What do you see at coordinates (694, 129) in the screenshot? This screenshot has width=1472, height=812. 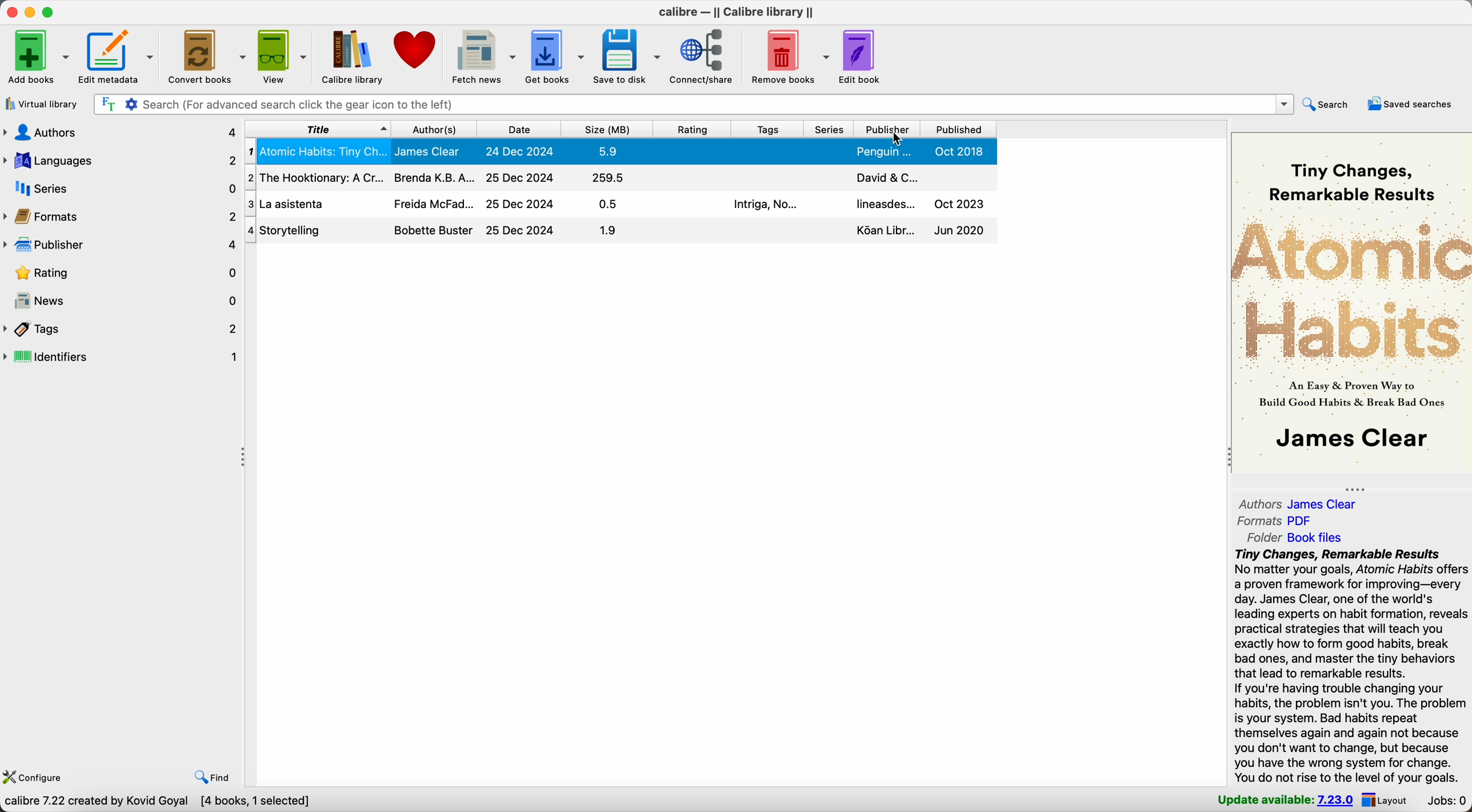 I see `rating` at bounding box center [694, 129].